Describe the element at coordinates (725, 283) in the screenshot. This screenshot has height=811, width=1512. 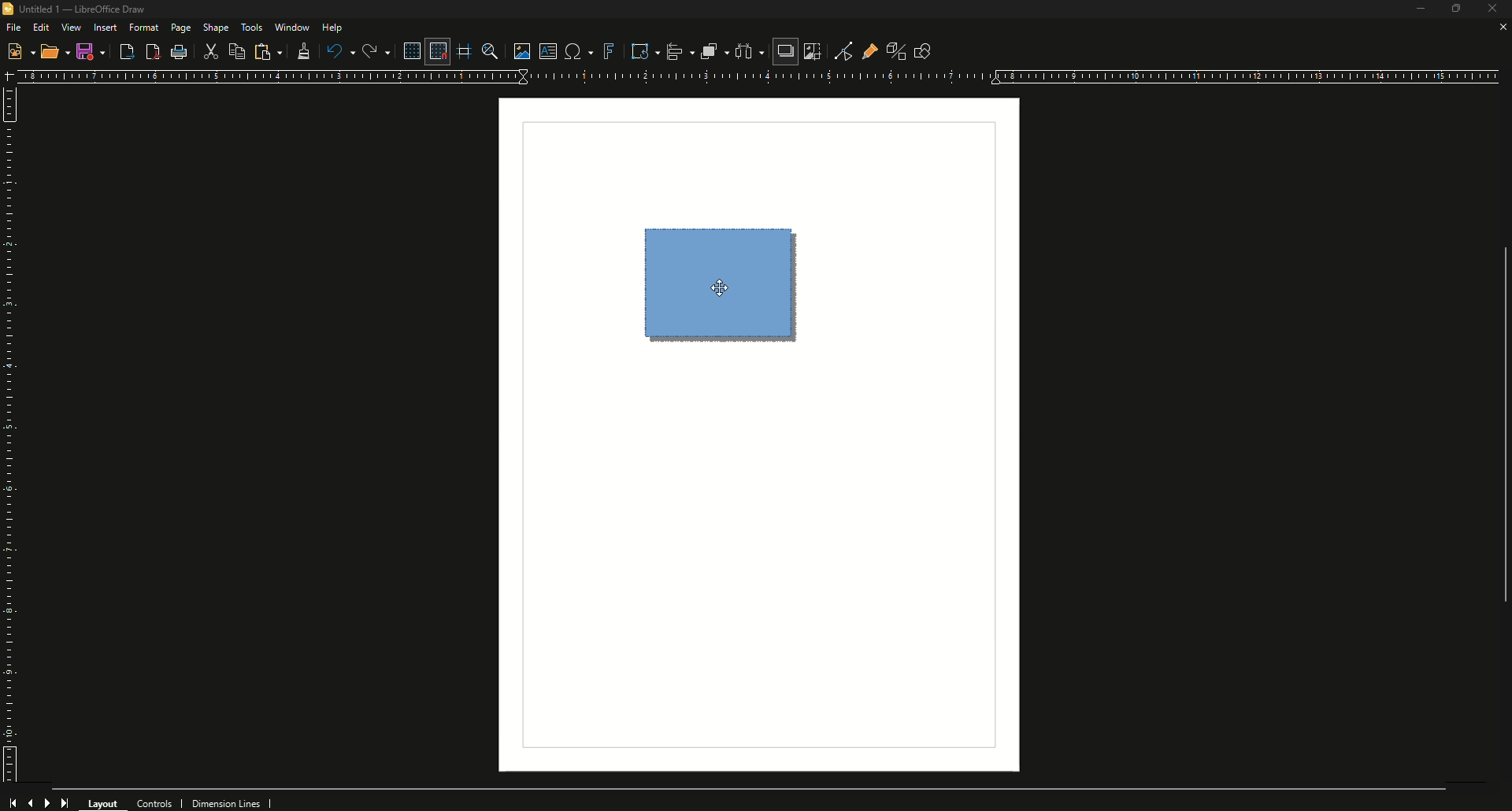
I see `Square` at that location.